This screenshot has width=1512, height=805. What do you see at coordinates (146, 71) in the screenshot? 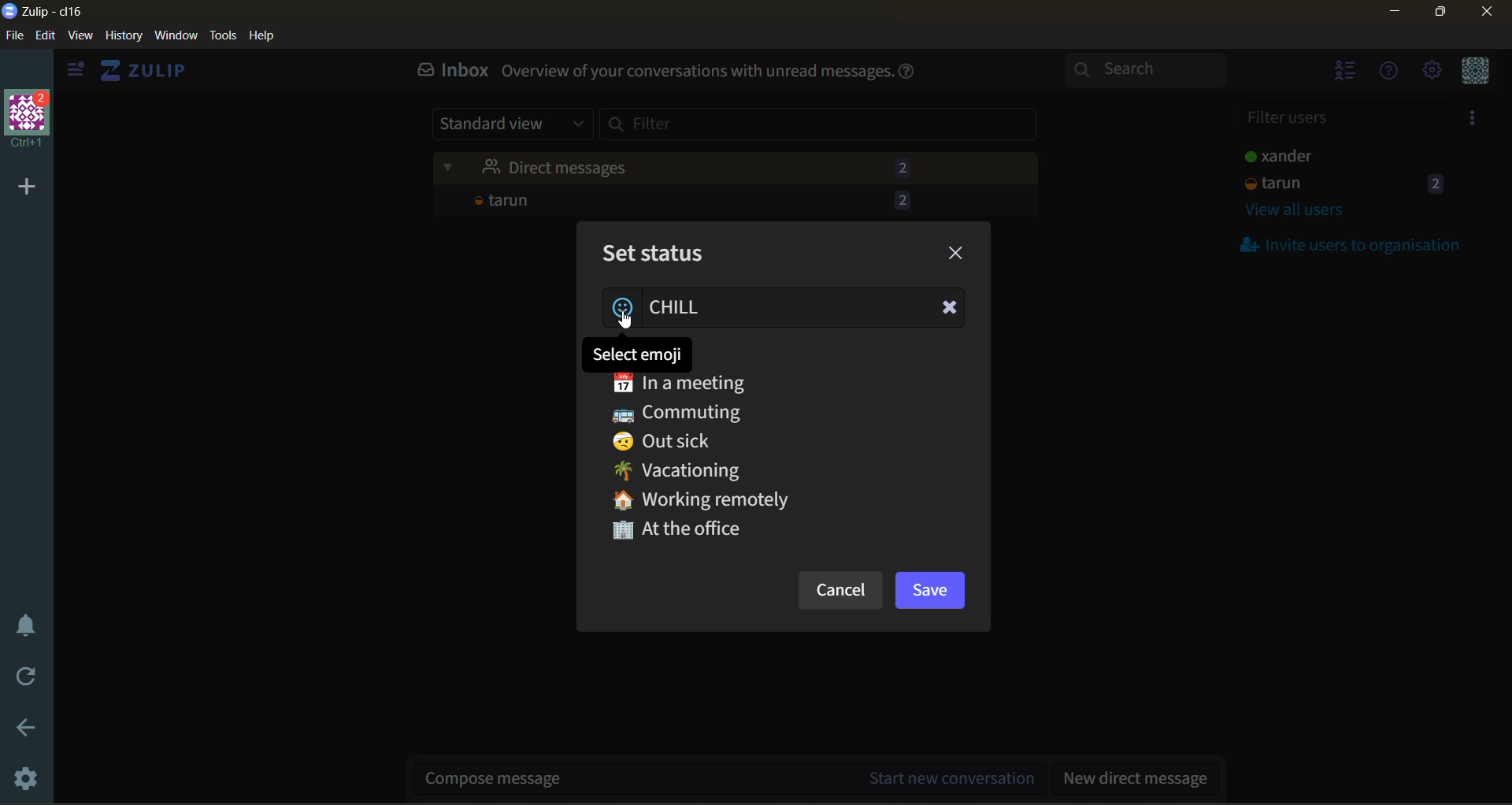
I see `view home` at bounding box center [146, 71].